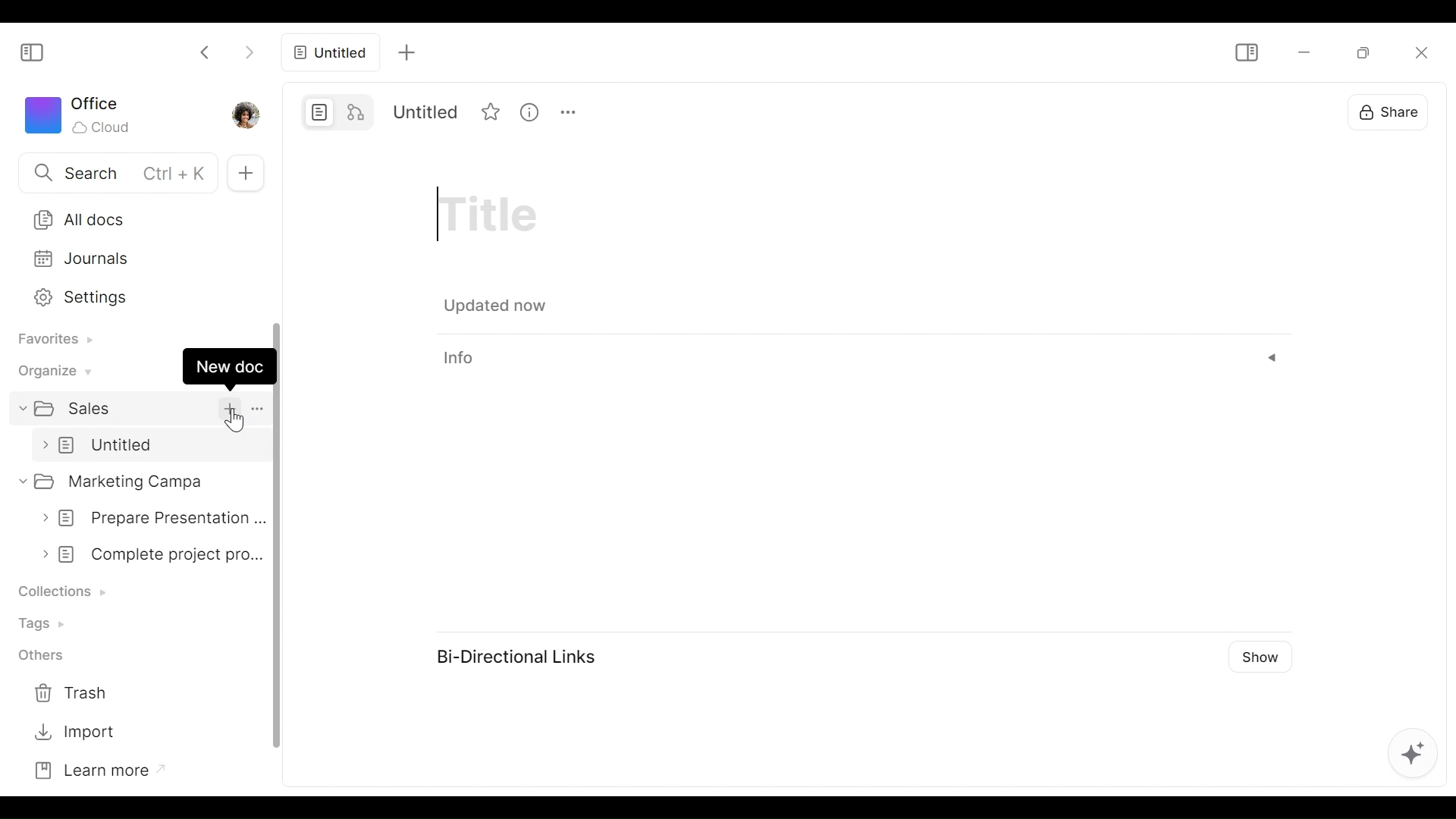  What do you see at coordinates (134, 219) in the screenshot?
I see `All Docs` at bounding box center [134, 219].